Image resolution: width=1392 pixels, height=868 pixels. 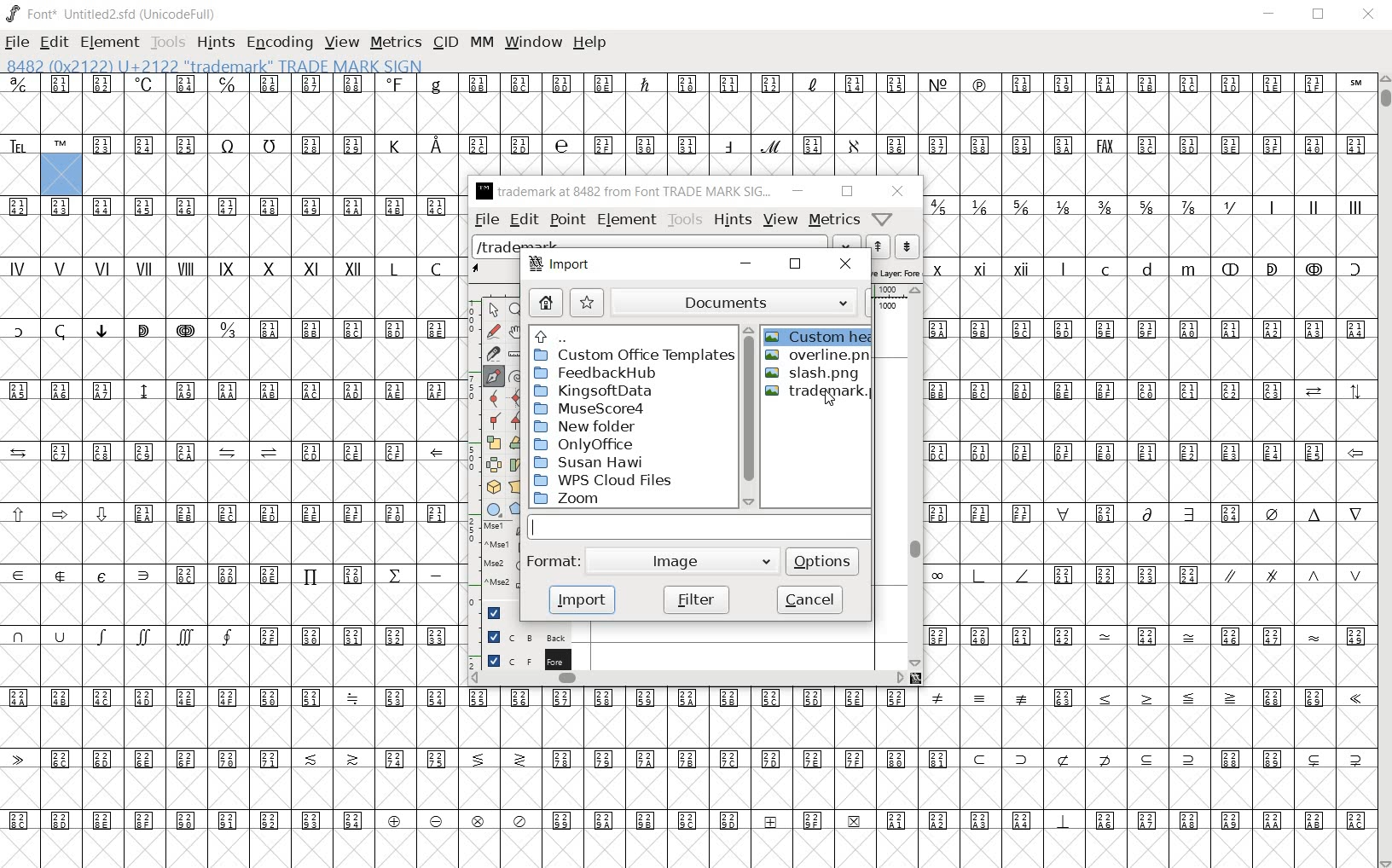 I want to click on MuseScore4, so click(x=589, y=408).